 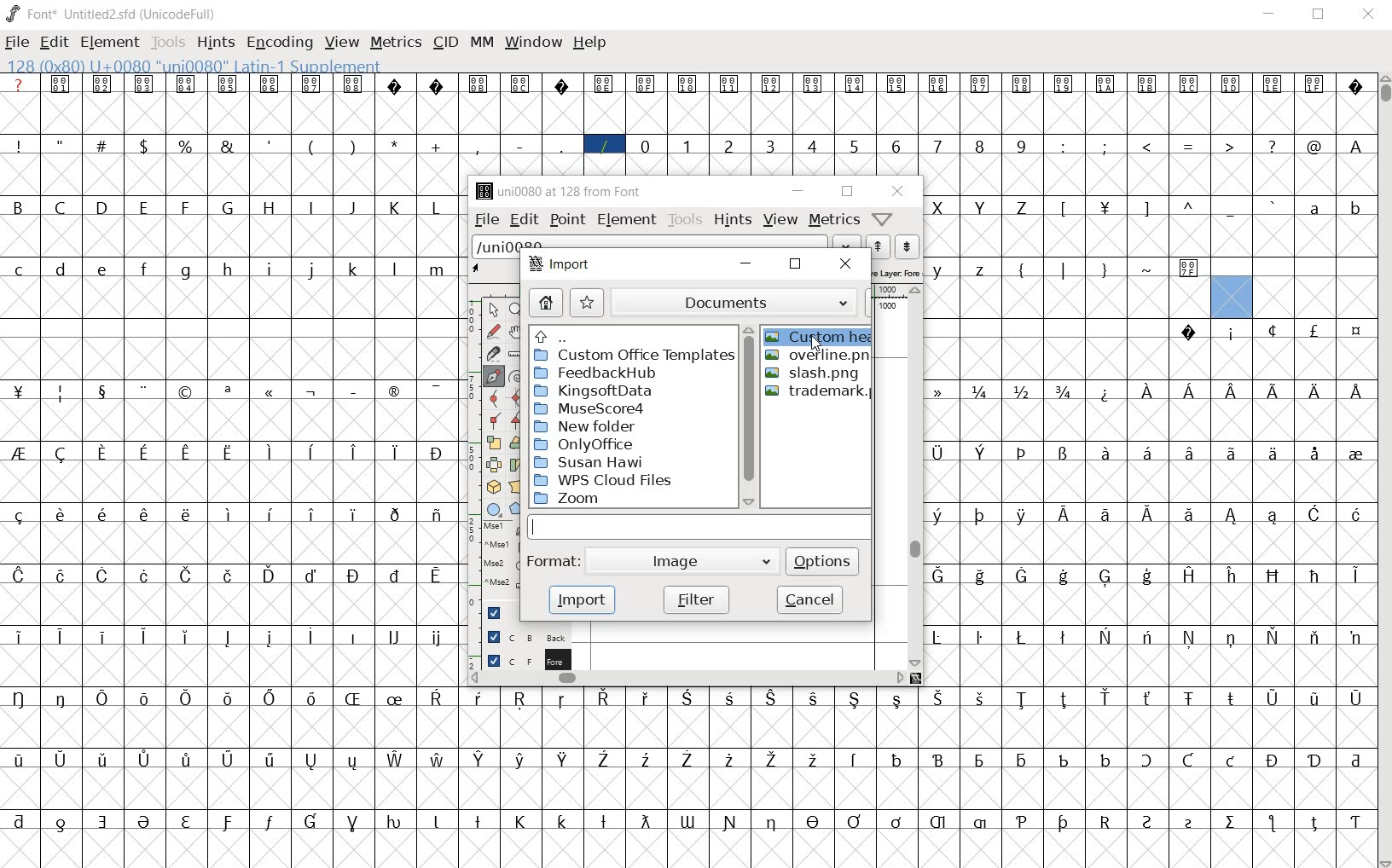 What do you see at coordinates (1314, 209) in the screenshot?
I see `glyph` at bounding box center [1314, 209].